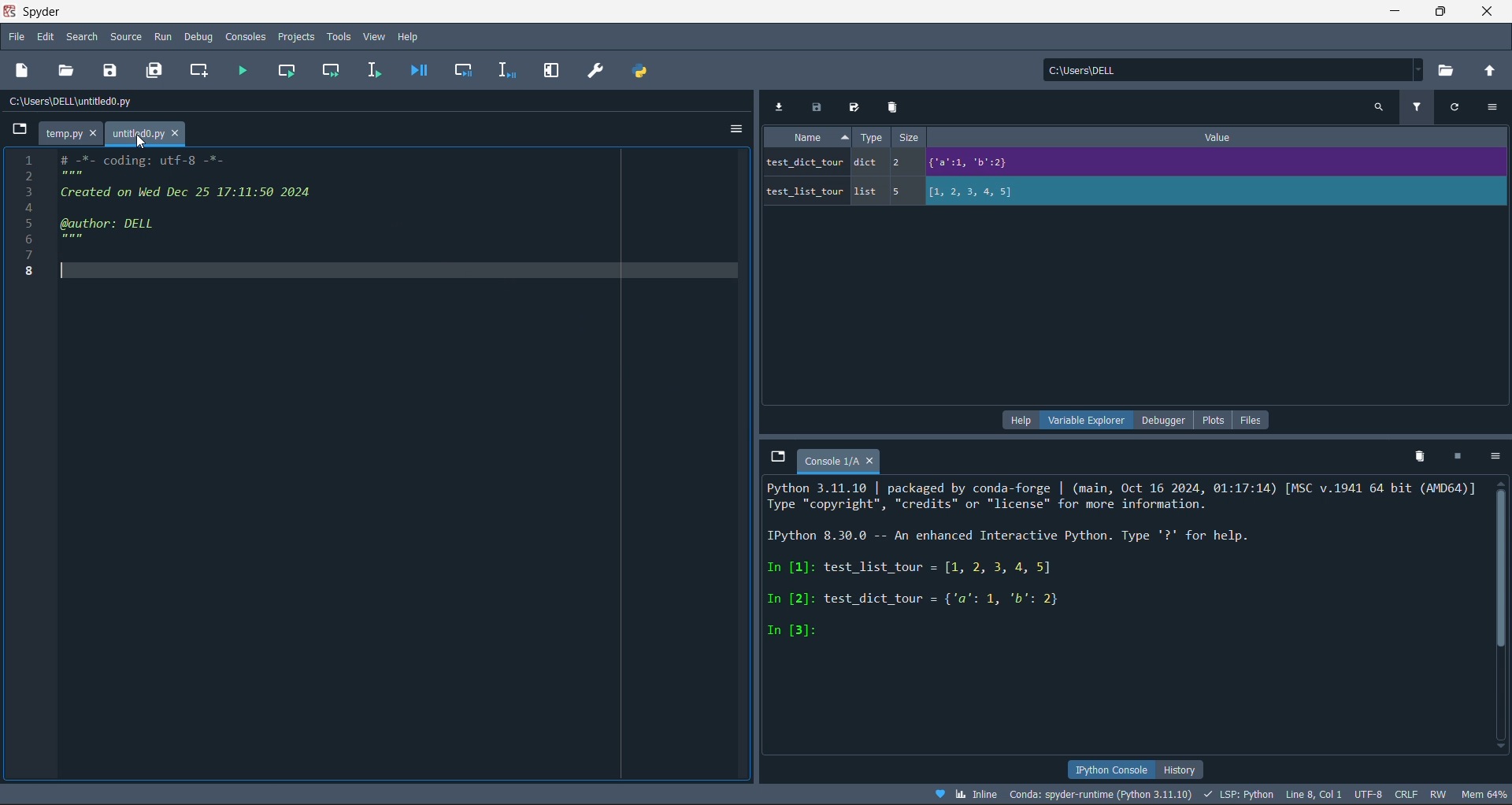  Describe the element at coordinates (506, 69) in the screenshot. I see `debug line` at that location.